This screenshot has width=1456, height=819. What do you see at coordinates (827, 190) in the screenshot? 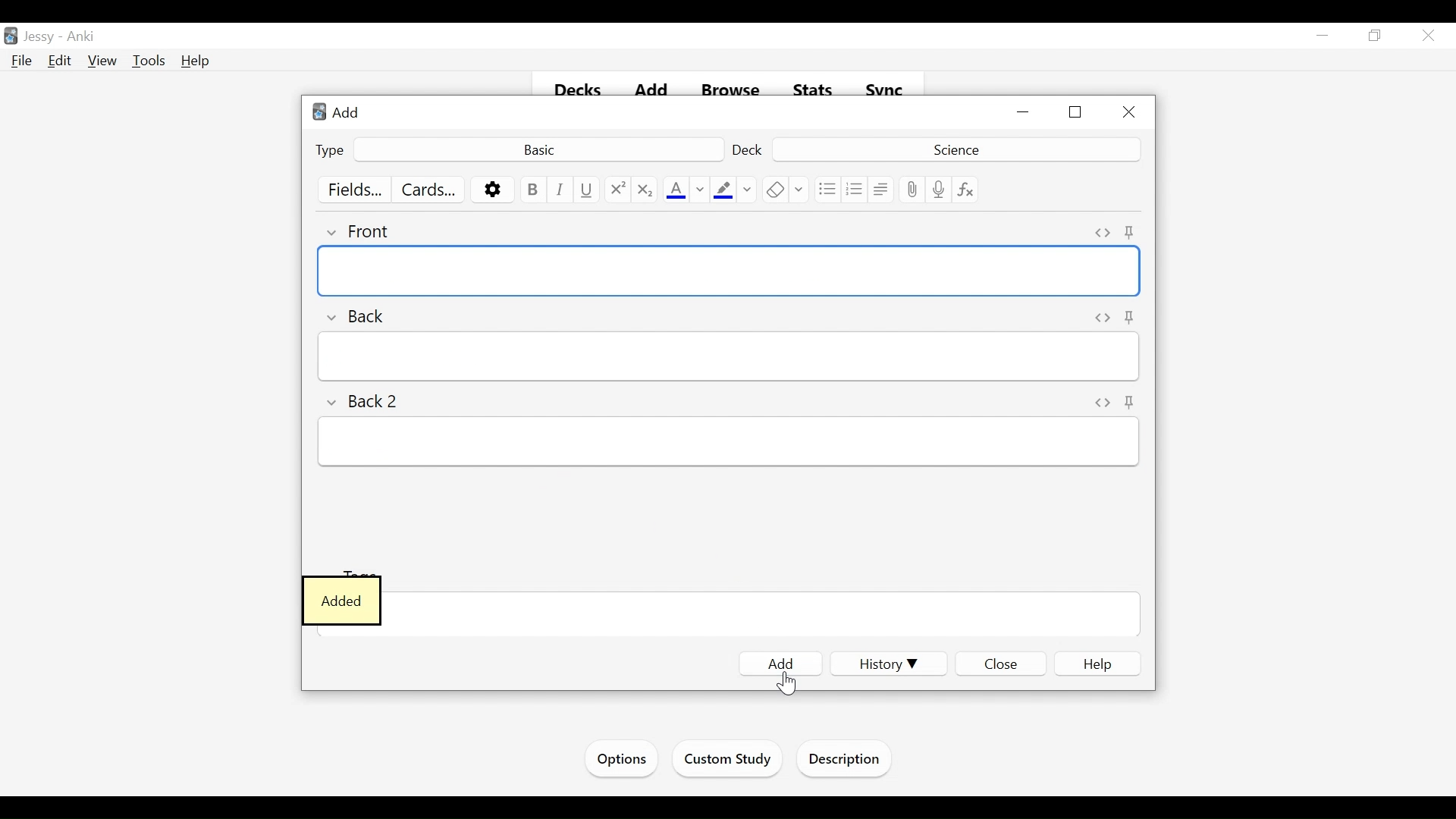
I see `Unordered list` at bounding box center [827, 190].